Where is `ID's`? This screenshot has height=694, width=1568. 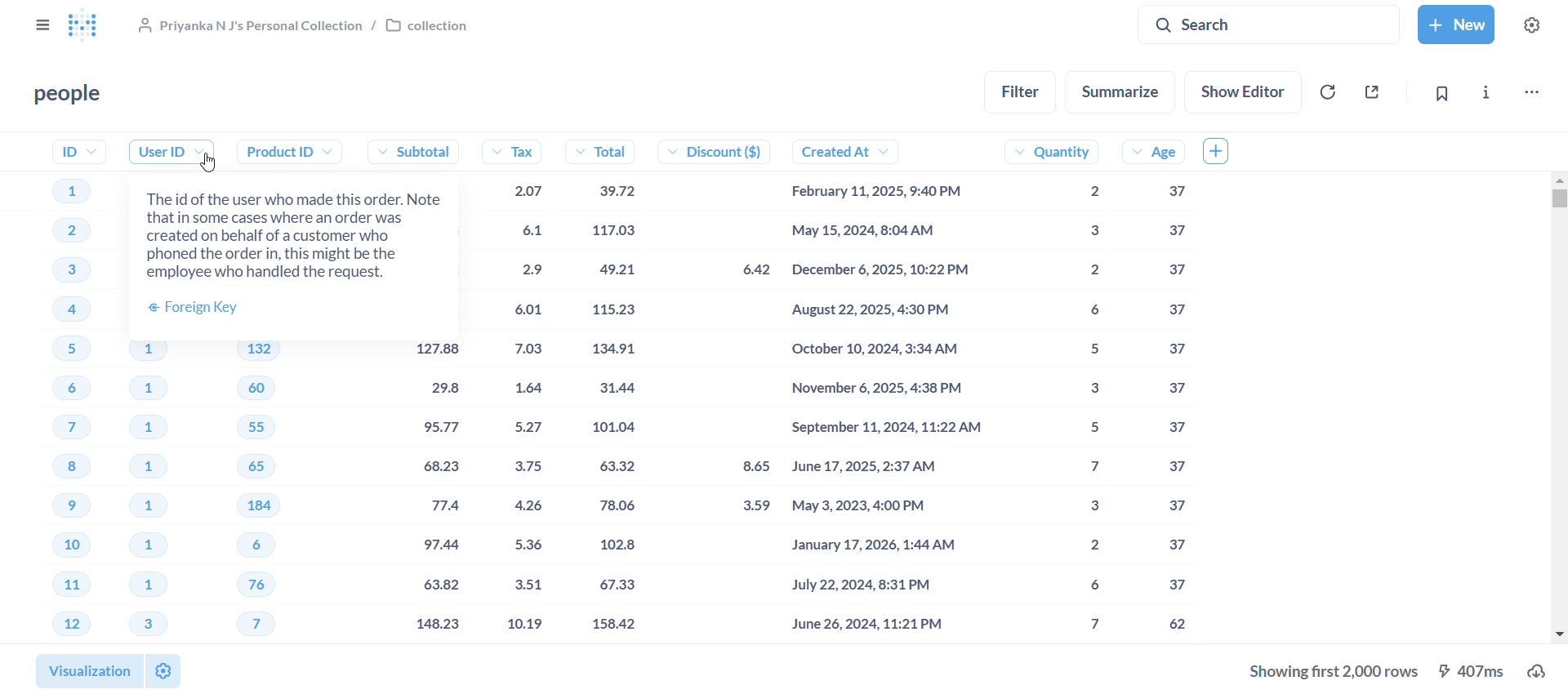
ID's is located at coordinates (73, 388).